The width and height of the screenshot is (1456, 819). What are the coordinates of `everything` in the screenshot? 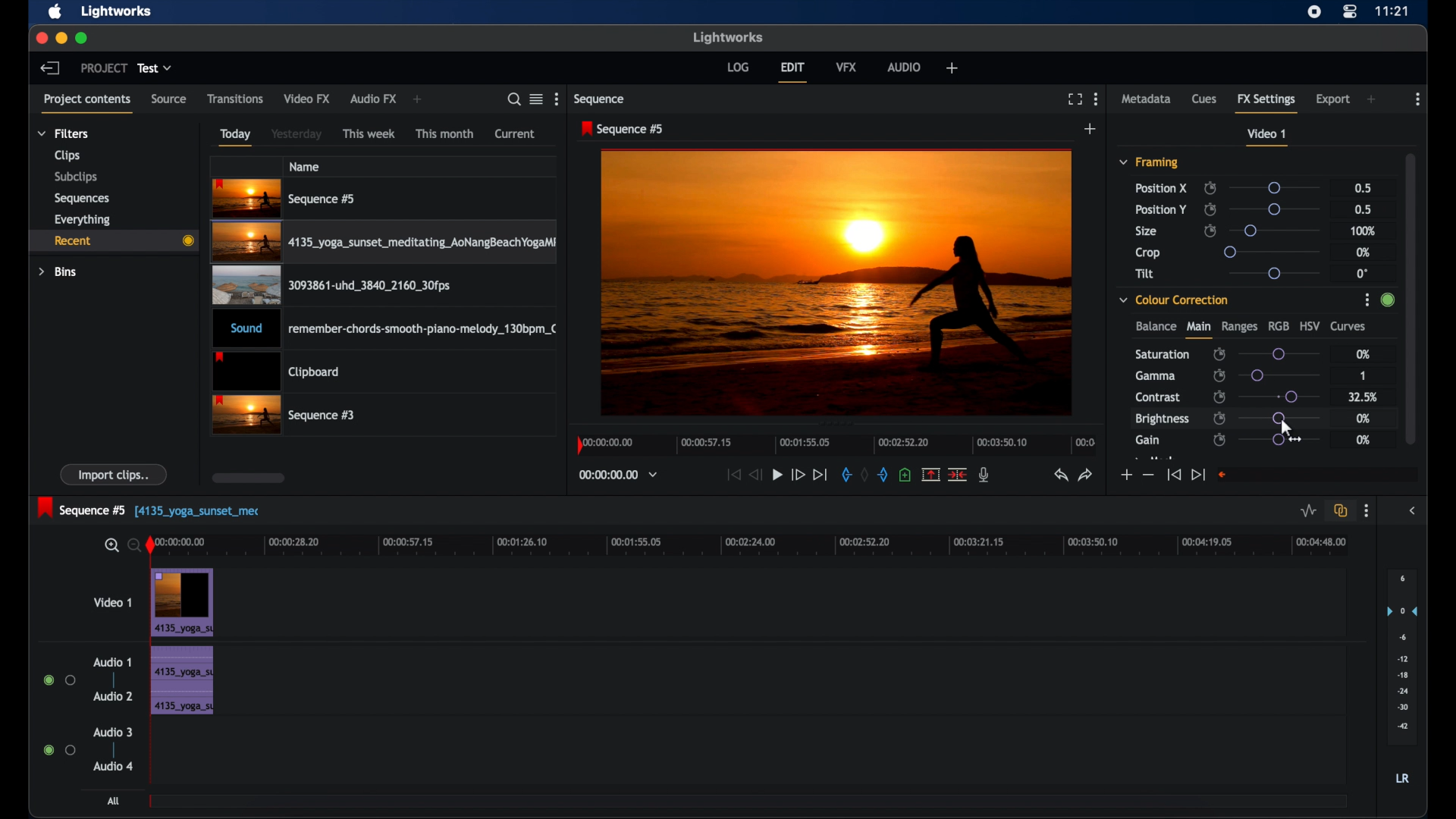 It's located at (82, 220).